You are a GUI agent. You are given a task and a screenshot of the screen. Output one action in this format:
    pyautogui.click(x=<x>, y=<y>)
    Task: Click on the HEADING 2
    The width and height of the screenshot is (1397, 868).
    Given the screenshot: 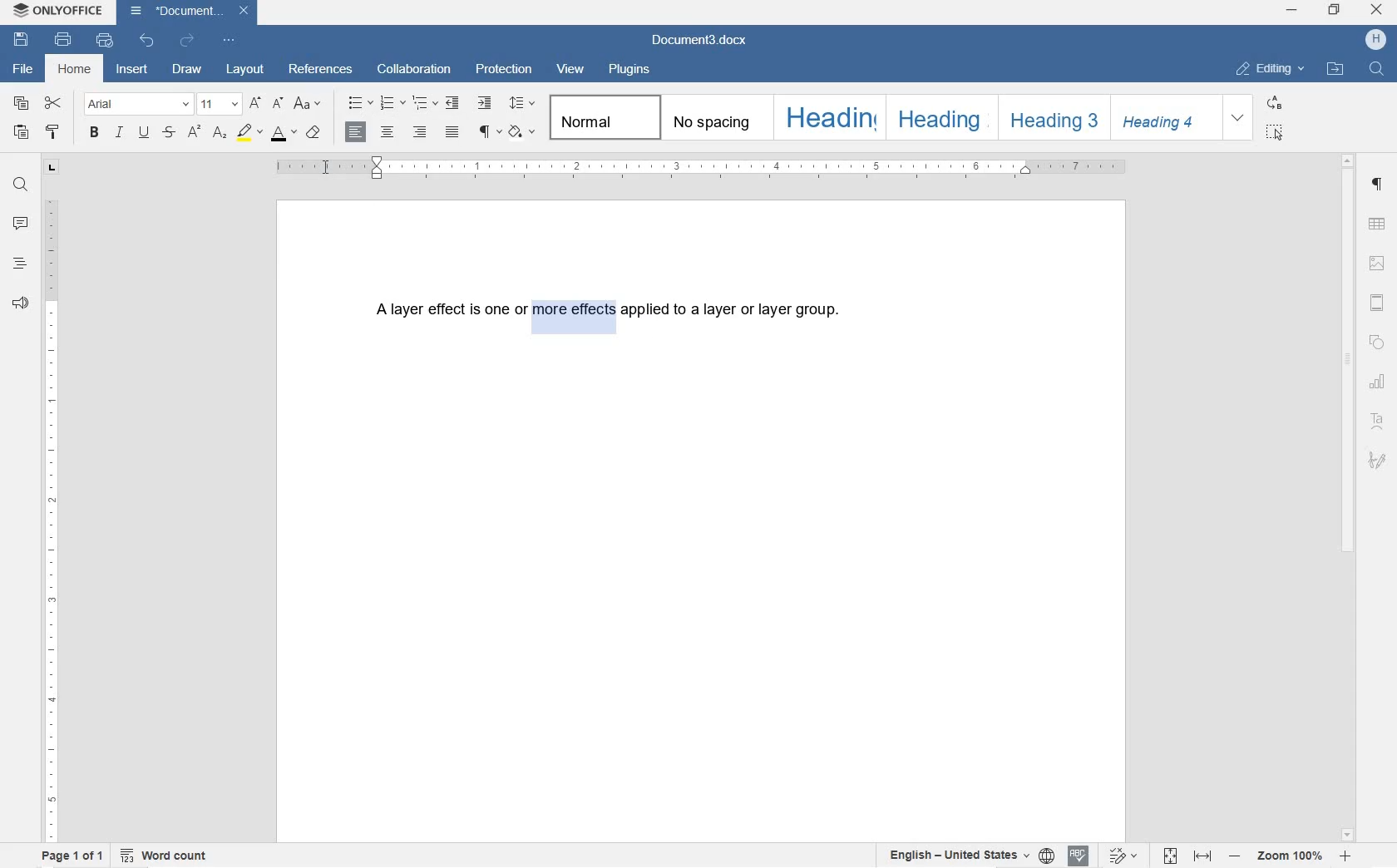 What is the action you would take?
    pyautogui.click(x=937, y=116)
    